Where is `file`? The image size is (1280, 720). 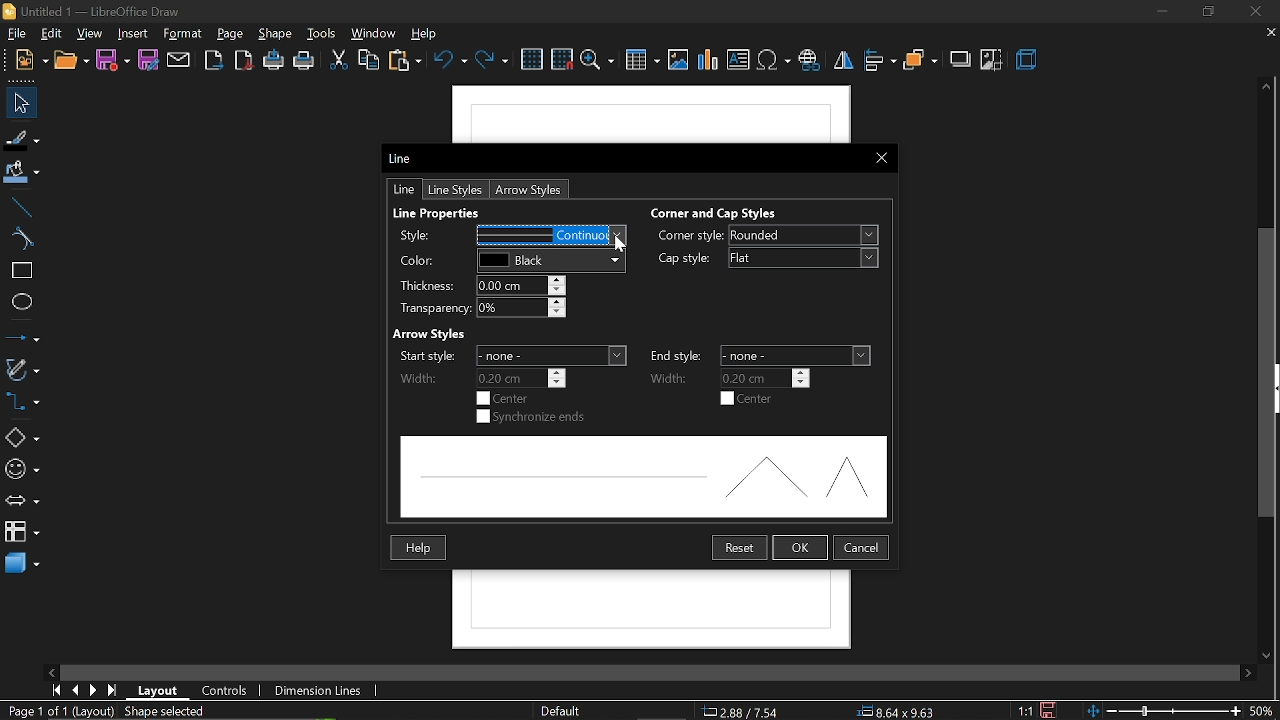
file is located at coordinates (15, 34).